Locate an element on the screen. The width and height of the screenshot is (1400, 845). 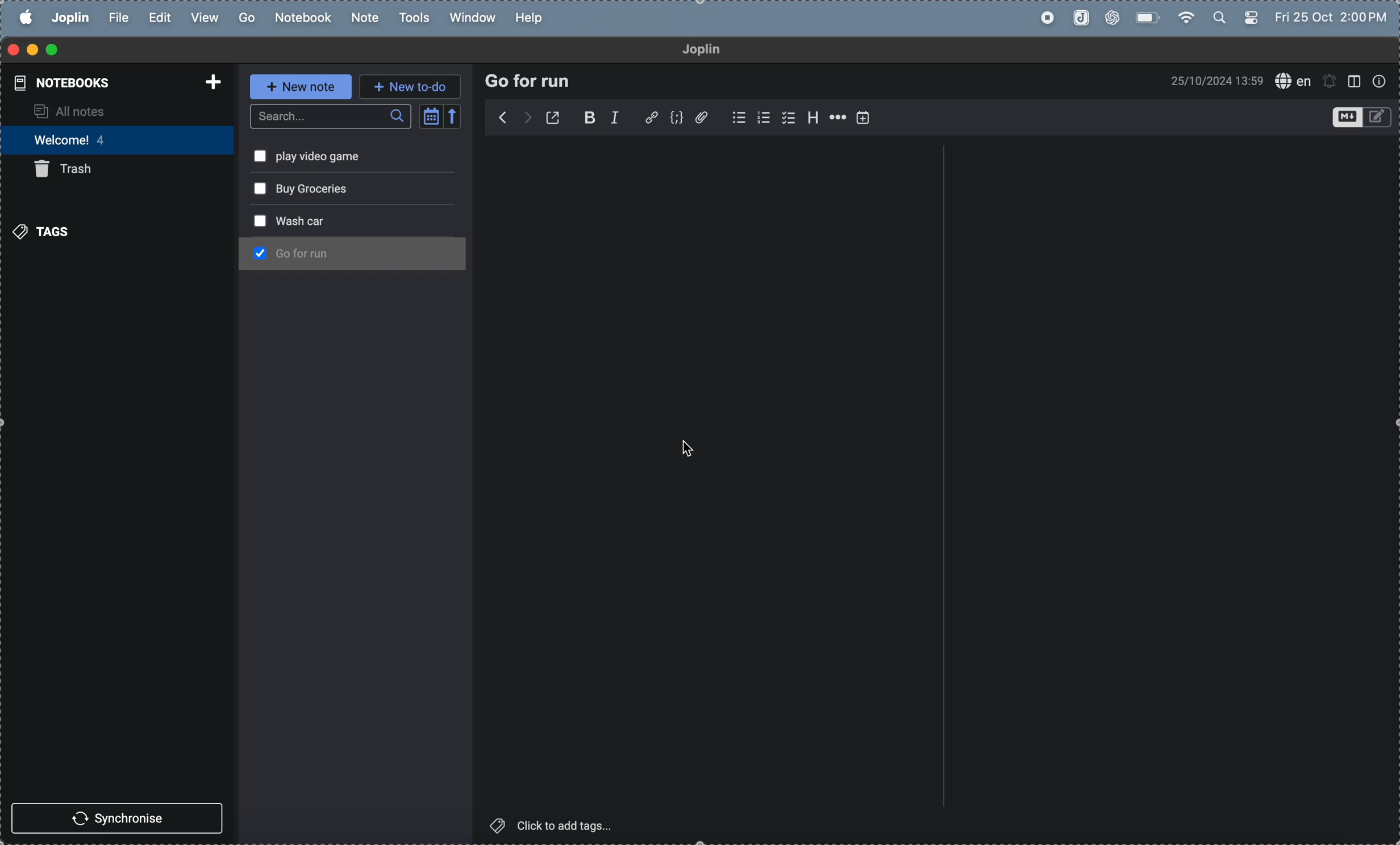
backward is located at coordinates (529, 116).